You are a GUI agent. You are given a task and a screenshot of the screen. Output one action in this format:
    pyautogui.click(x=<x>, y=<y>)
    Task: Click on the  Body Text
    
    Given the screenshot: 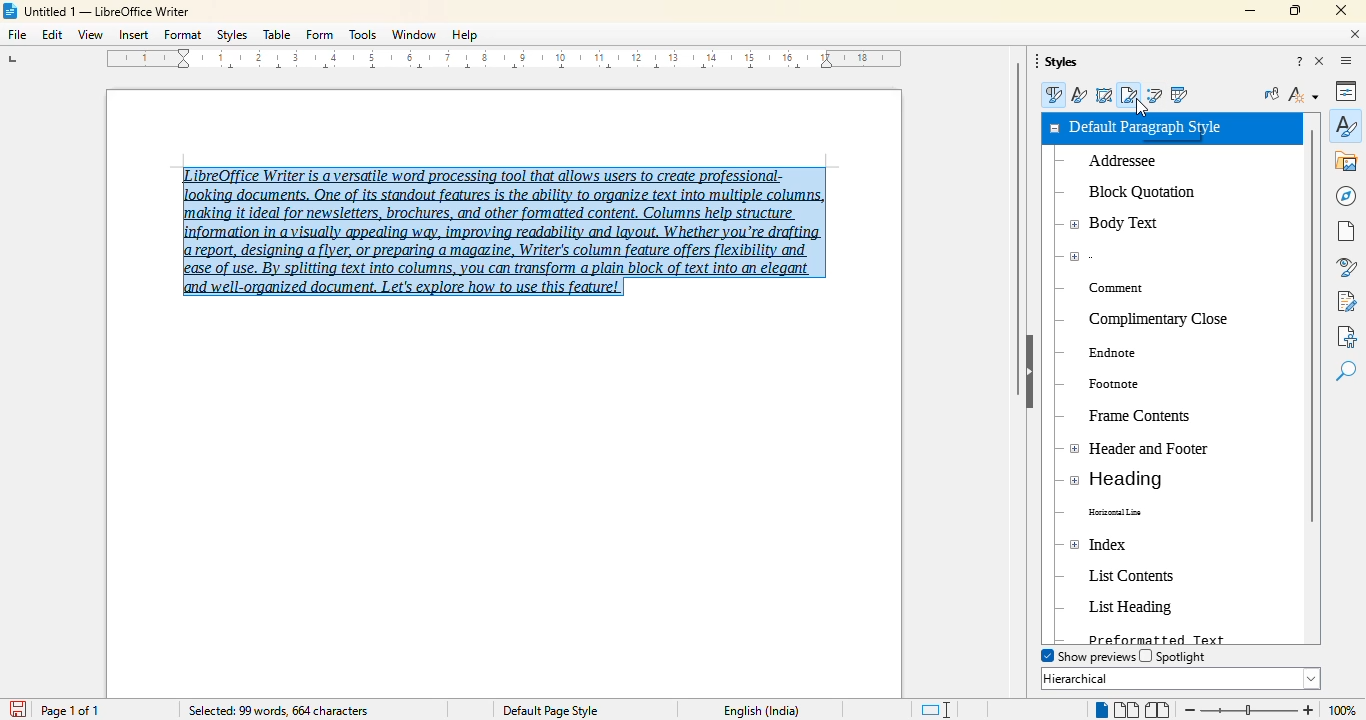 What is the action you would take?
    pyautogui.click(x=1117, y=226)
    